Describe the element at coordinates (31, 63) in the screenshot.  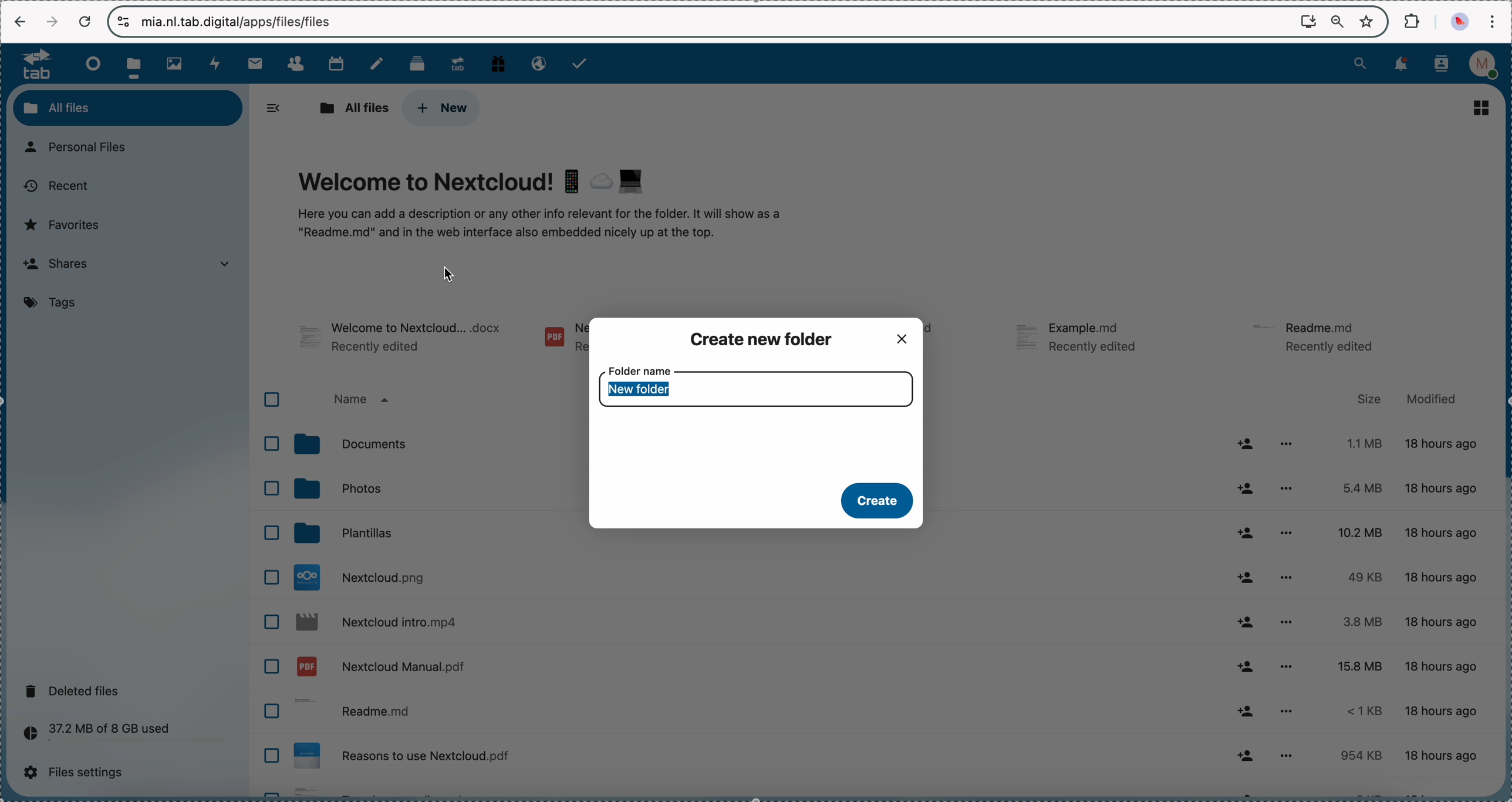
I see `tab` at that location.